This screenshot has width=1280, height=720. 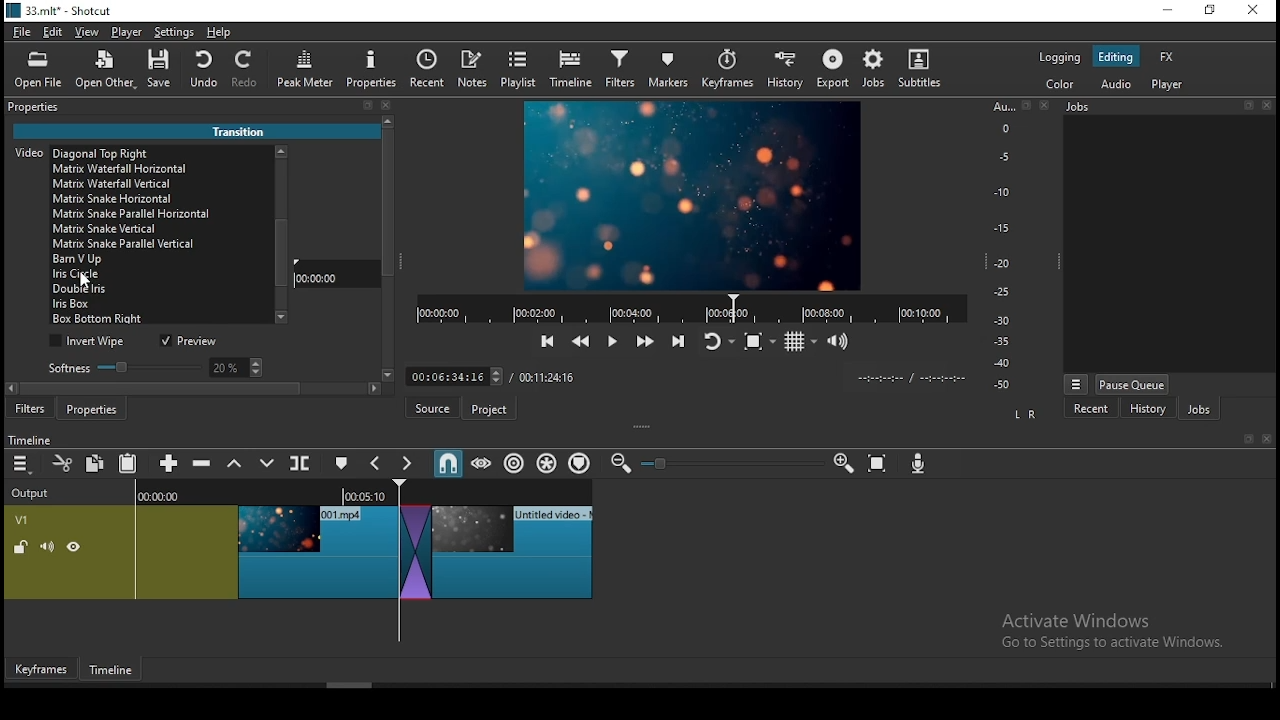 What do you see at coordinates (1269, 105) in the screenshot?
I see `` at bounding box center [1269, 105].